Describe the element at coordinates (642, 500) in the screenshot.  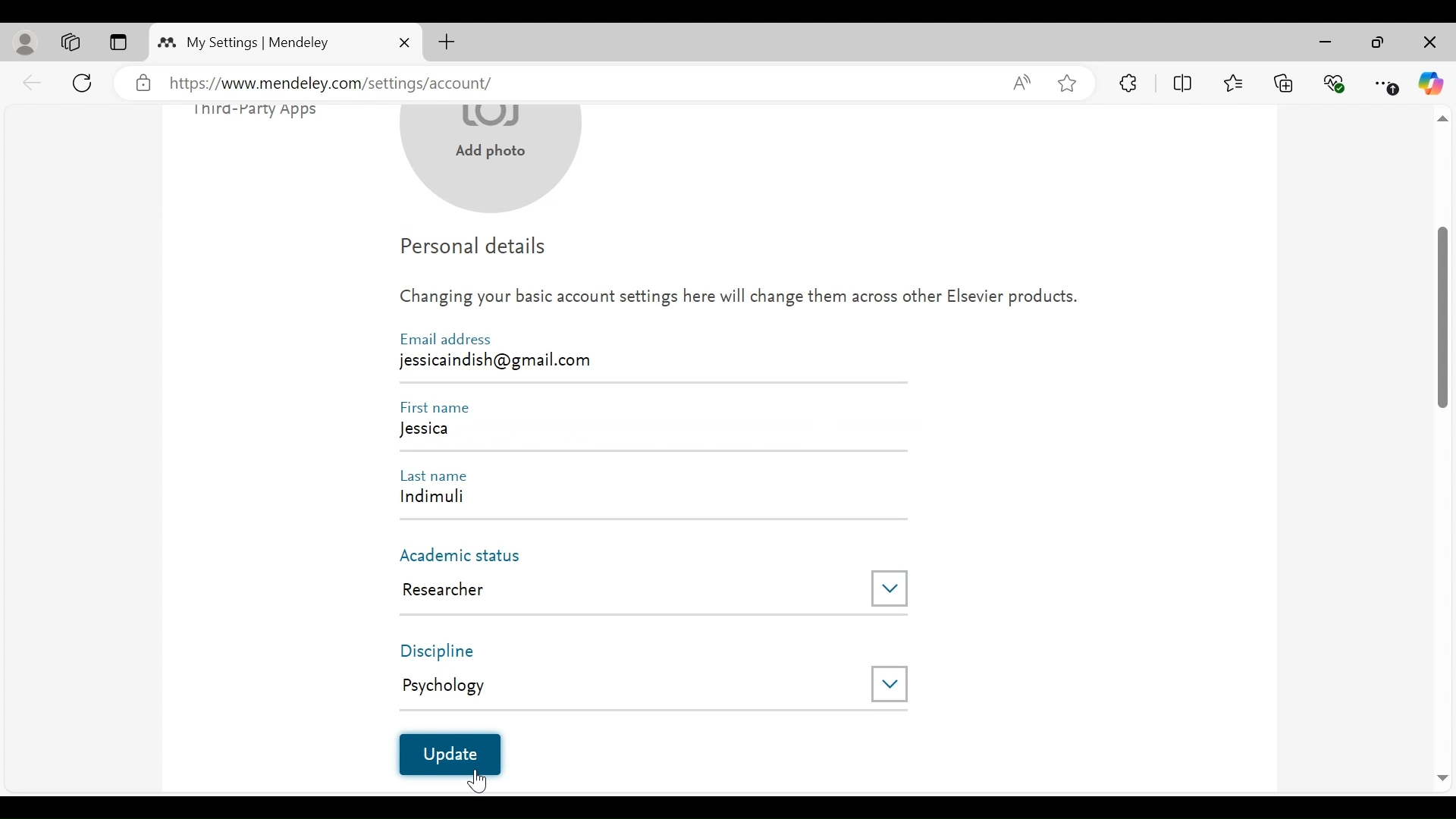
I see `Last Name Field ` at that location.